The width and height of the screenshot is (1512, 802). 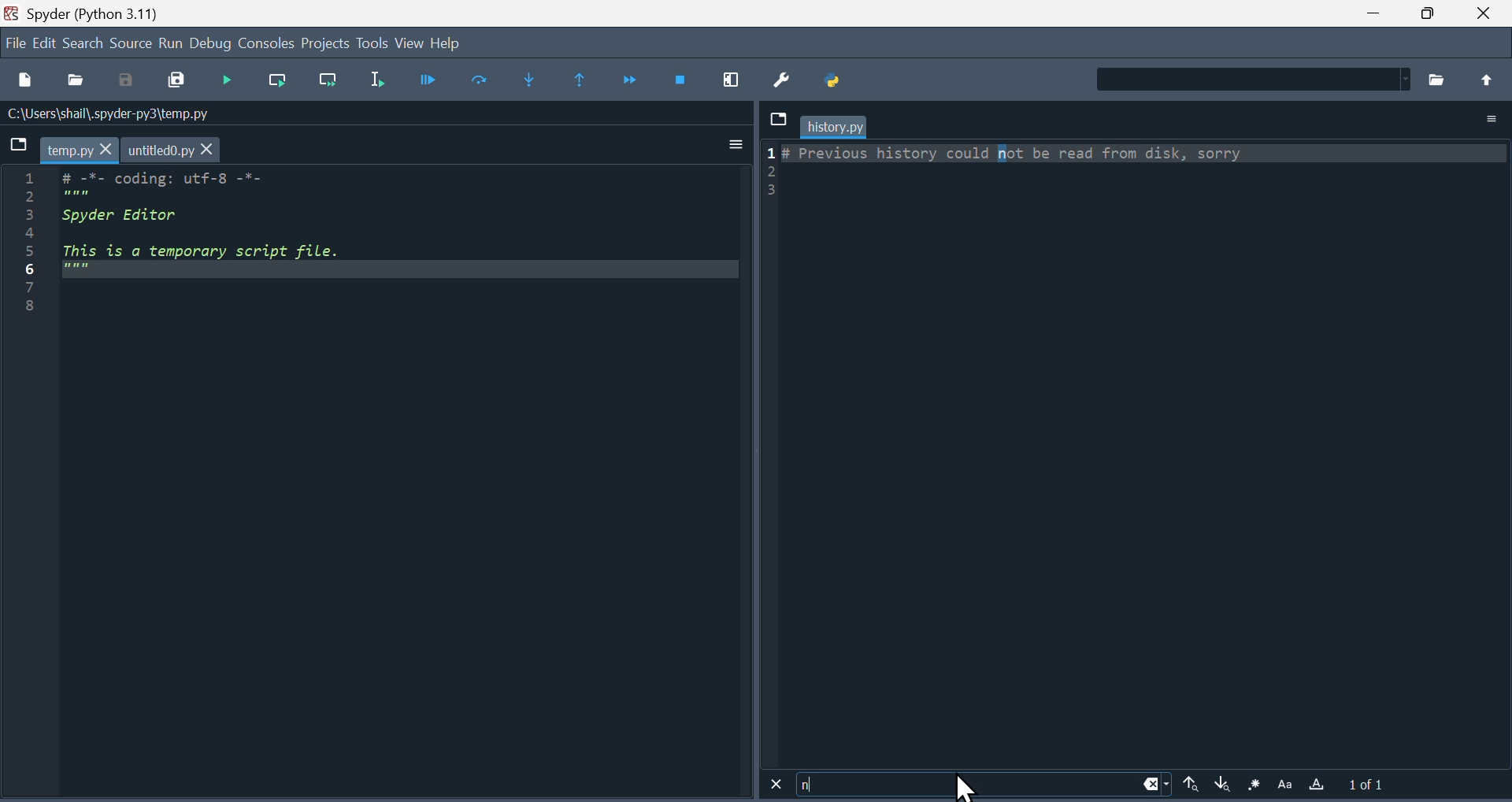 I want to click on serial numbers, so click(x=26, y=243).